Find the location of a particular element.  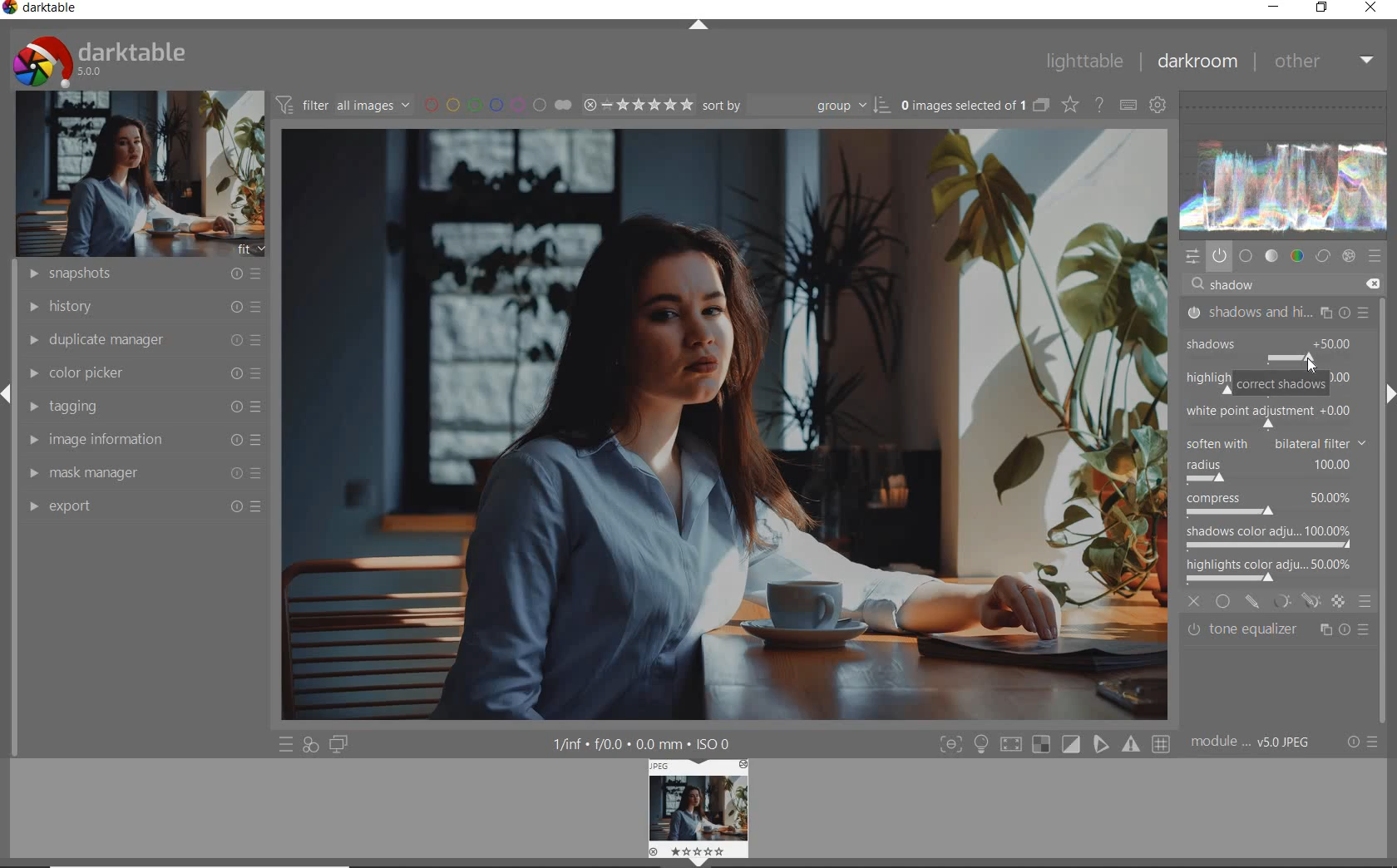

history is located at coordinates (141, 305).